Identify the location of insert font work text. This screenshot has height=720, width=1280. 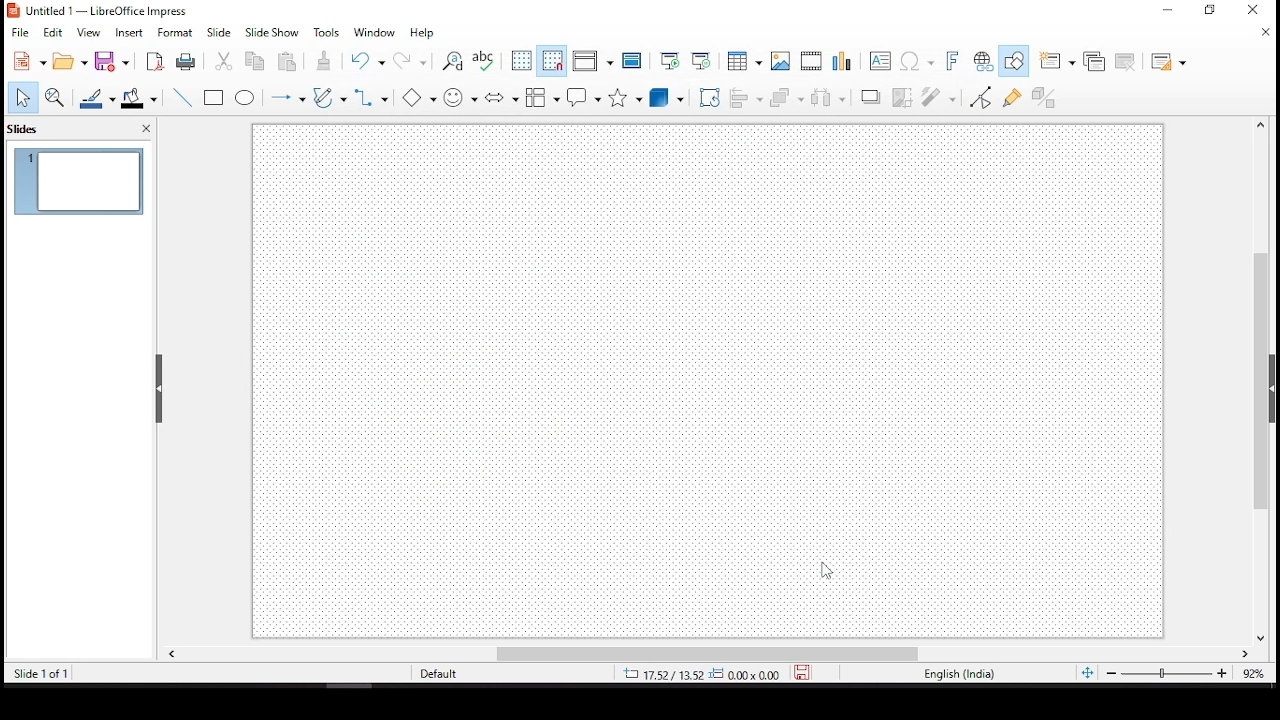
(951, 57).